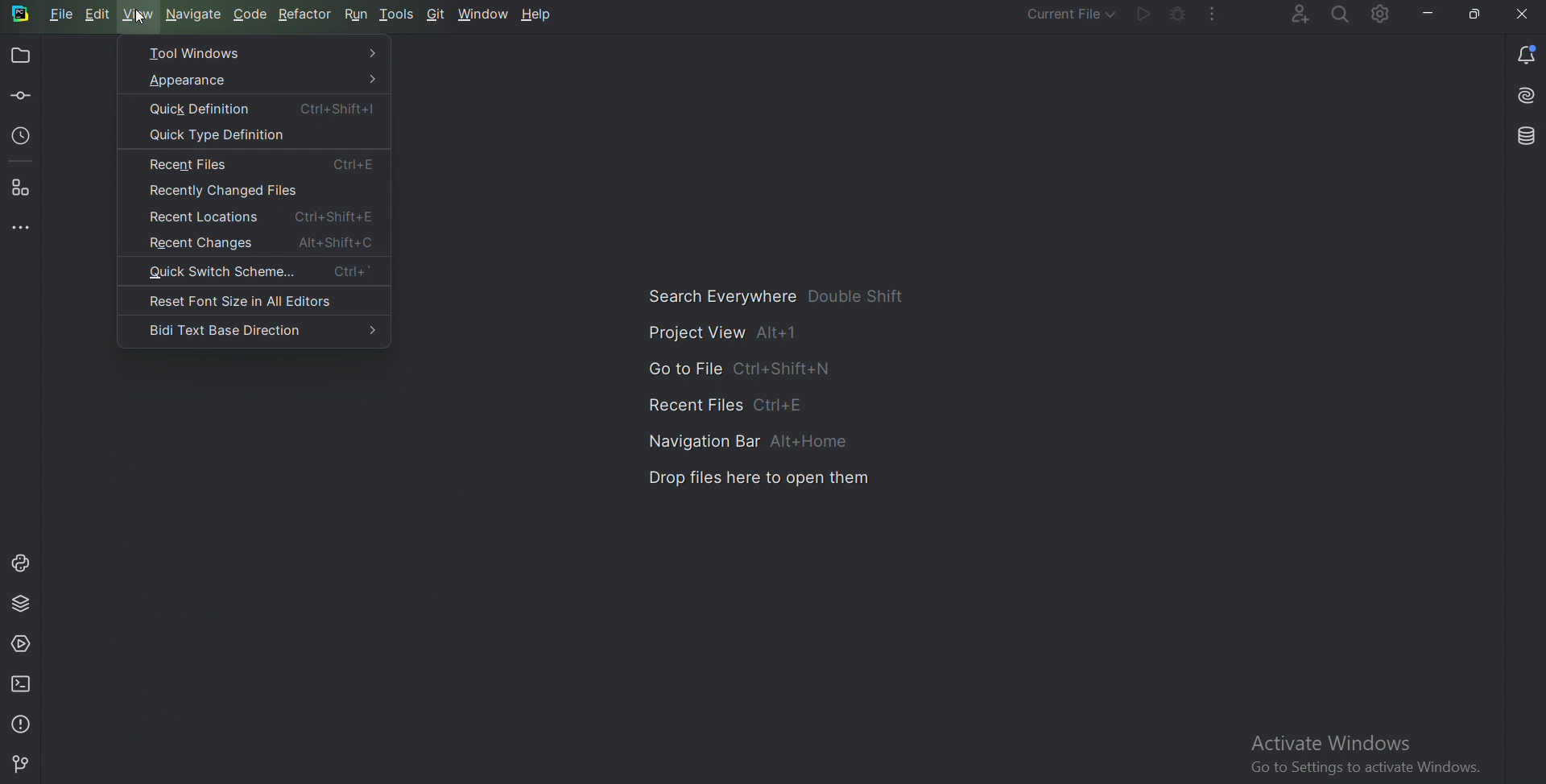 This screenshot has width=1546, height=784. What do you see at coordinates (1523, 55) in the screenshot?
I see `Notification` at bounding box center [1523, 55].